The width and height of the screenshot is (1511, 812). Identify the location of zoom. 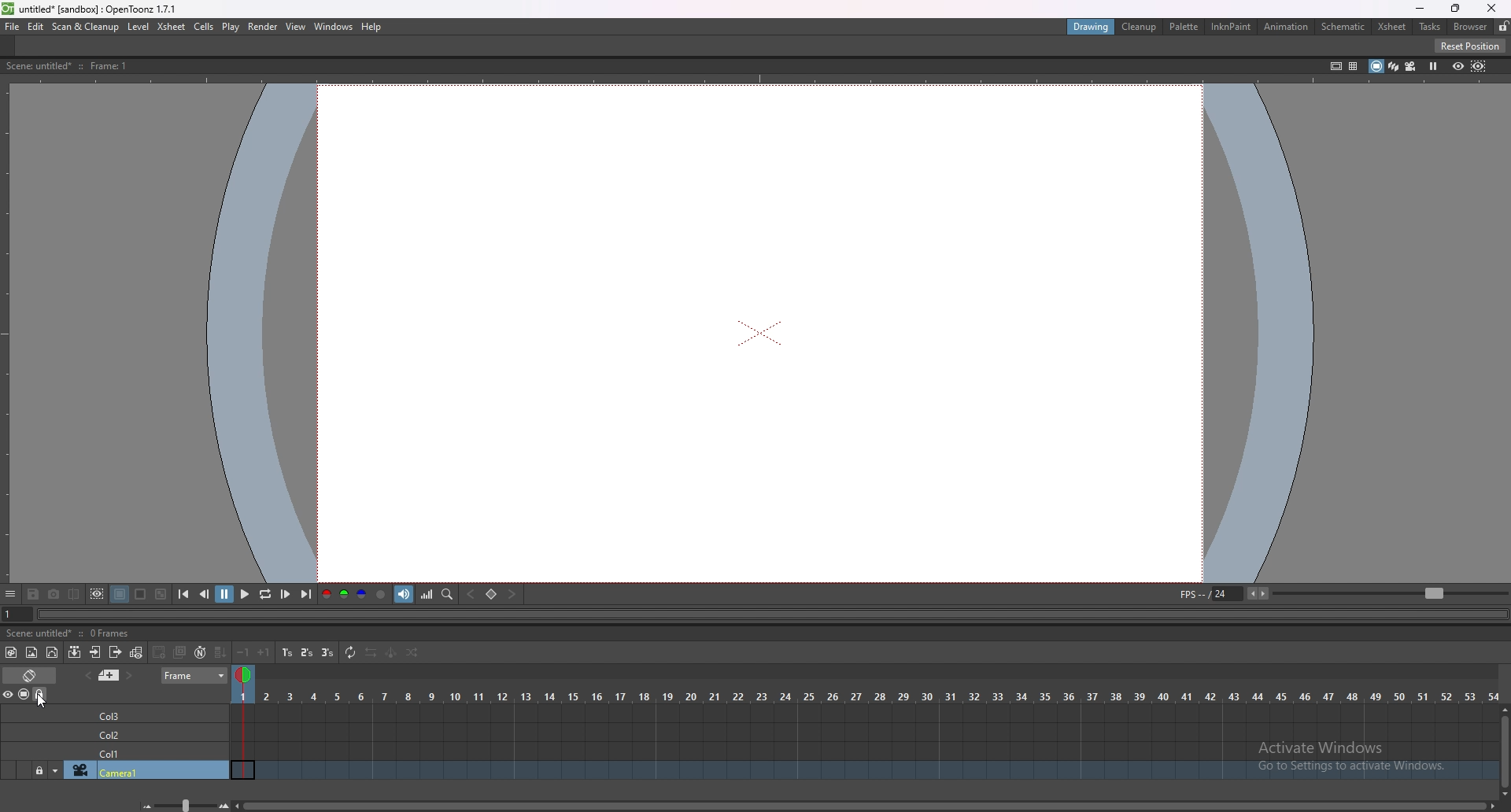
(1390, 593).